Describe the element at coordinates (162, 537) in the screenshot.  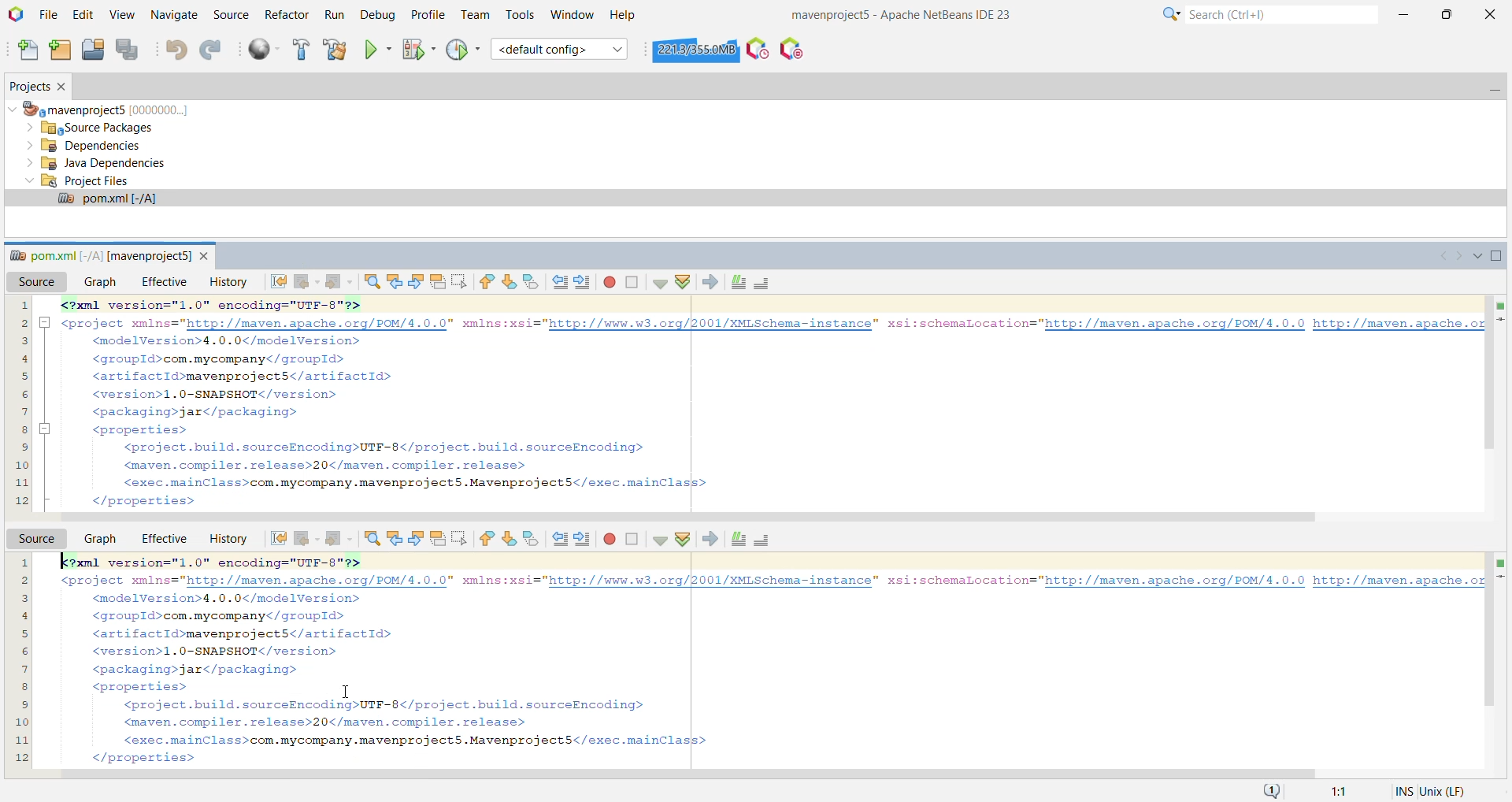
I see `Effective` at that location.